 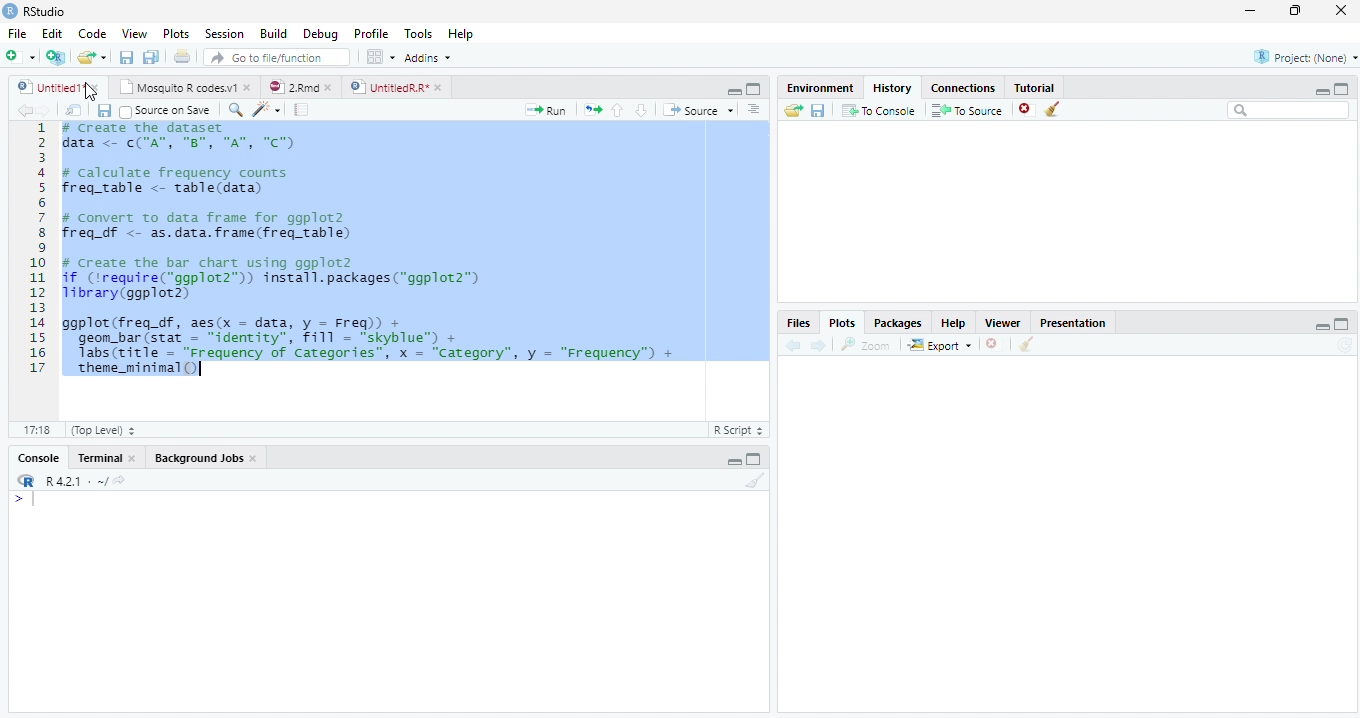 I want to click on Clear Console, so click(x=753, y=482).